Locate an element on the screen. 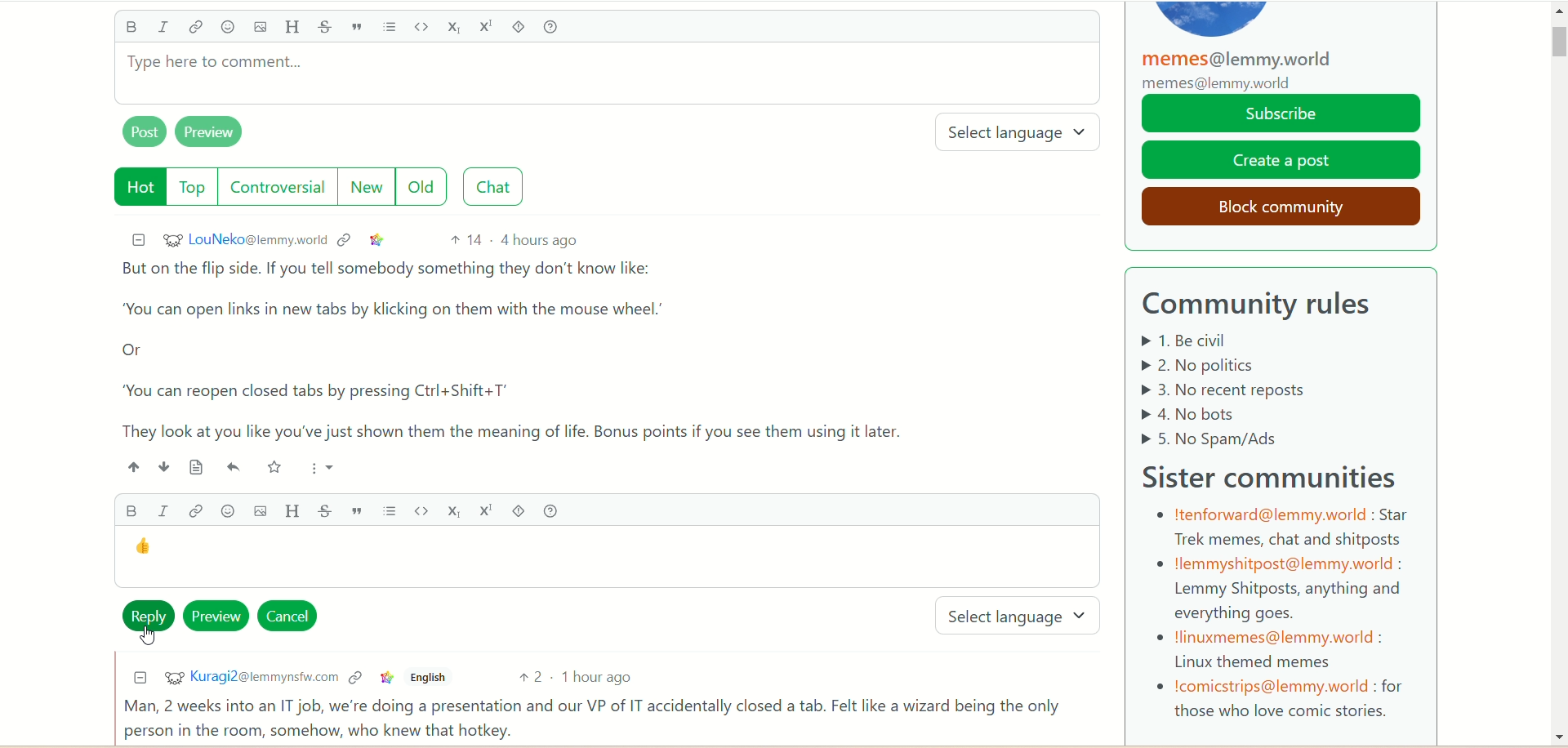 Image resolution: width=1568 pixels, height=748 pixels. context is located at coordinates (354, 679).